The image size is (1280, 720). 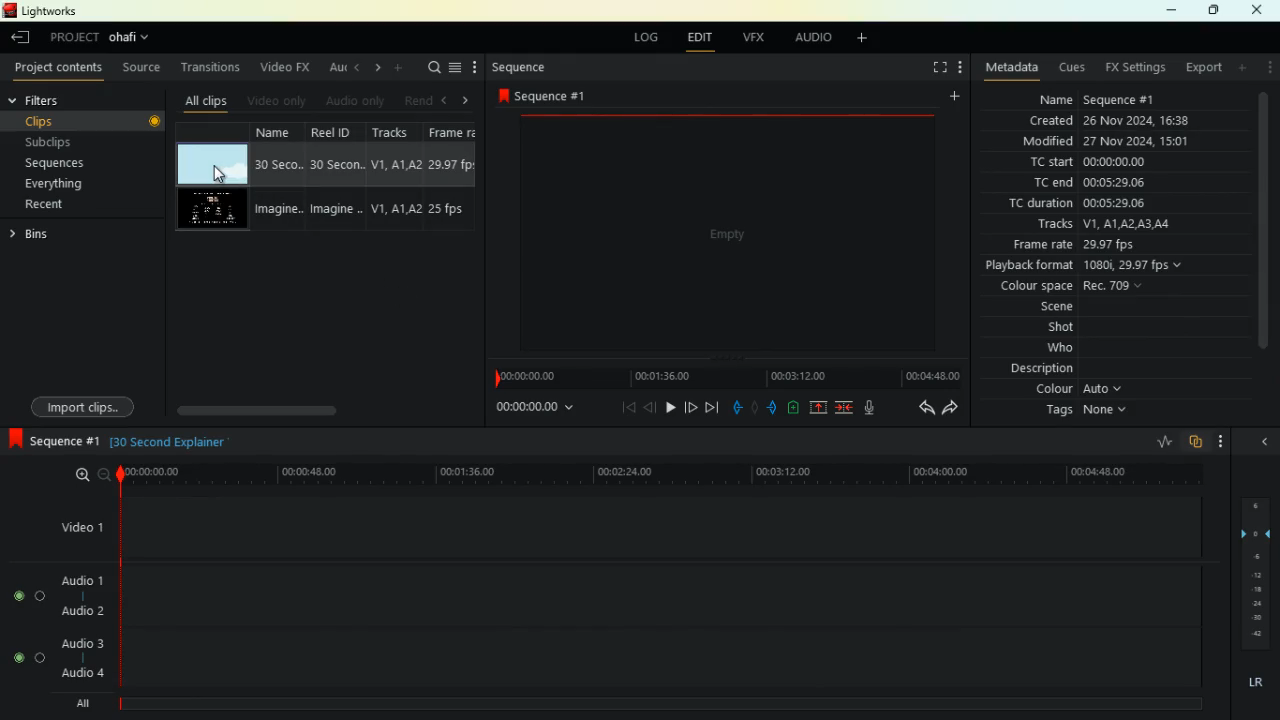 What do you see at coordinates (81, 643) in the screenshot?
I see `audio 3` at bounding box center [81, 643].